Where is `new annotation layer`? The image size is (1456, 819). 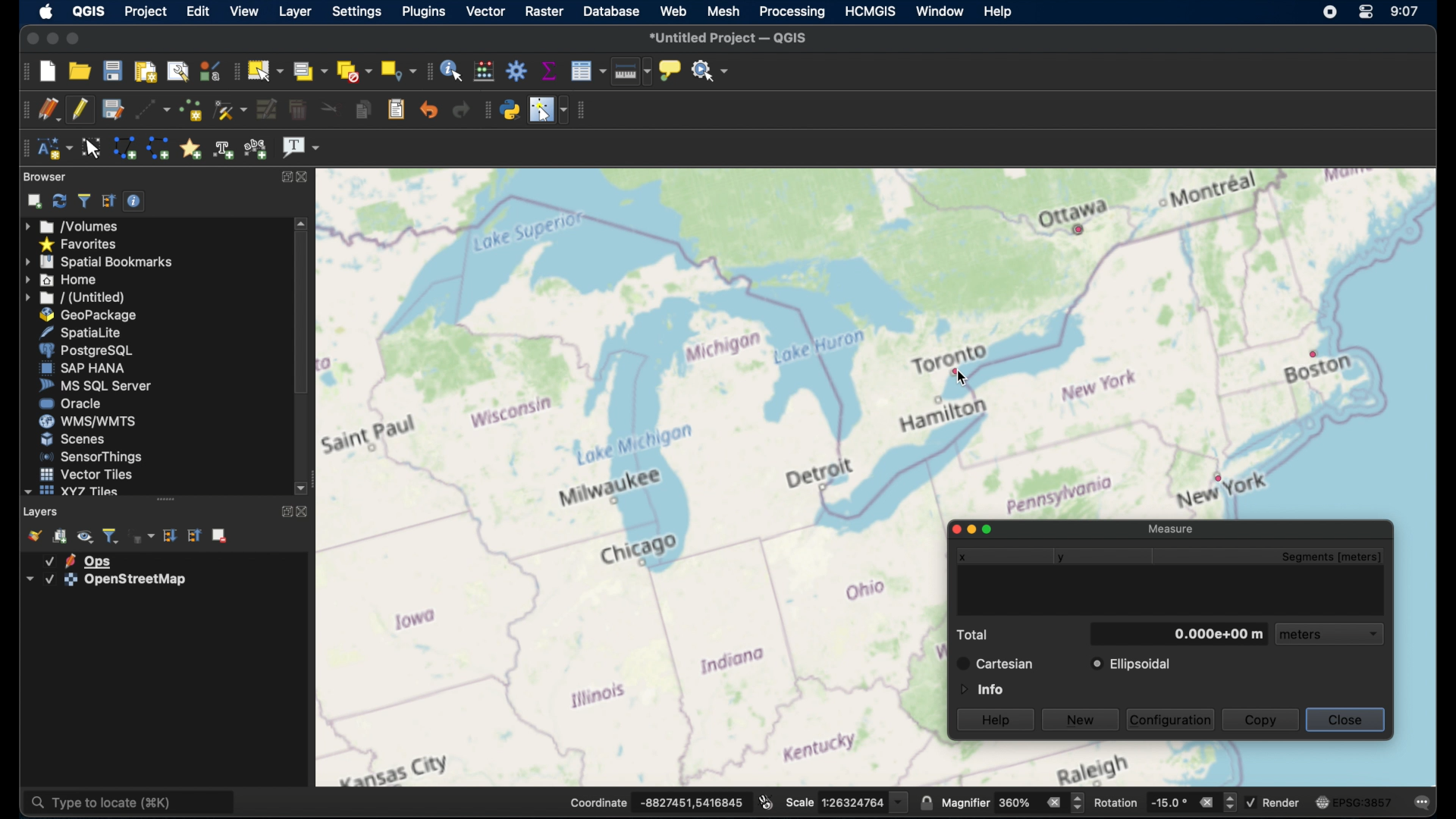 new annotation layer is located at coordinates (54, 149).